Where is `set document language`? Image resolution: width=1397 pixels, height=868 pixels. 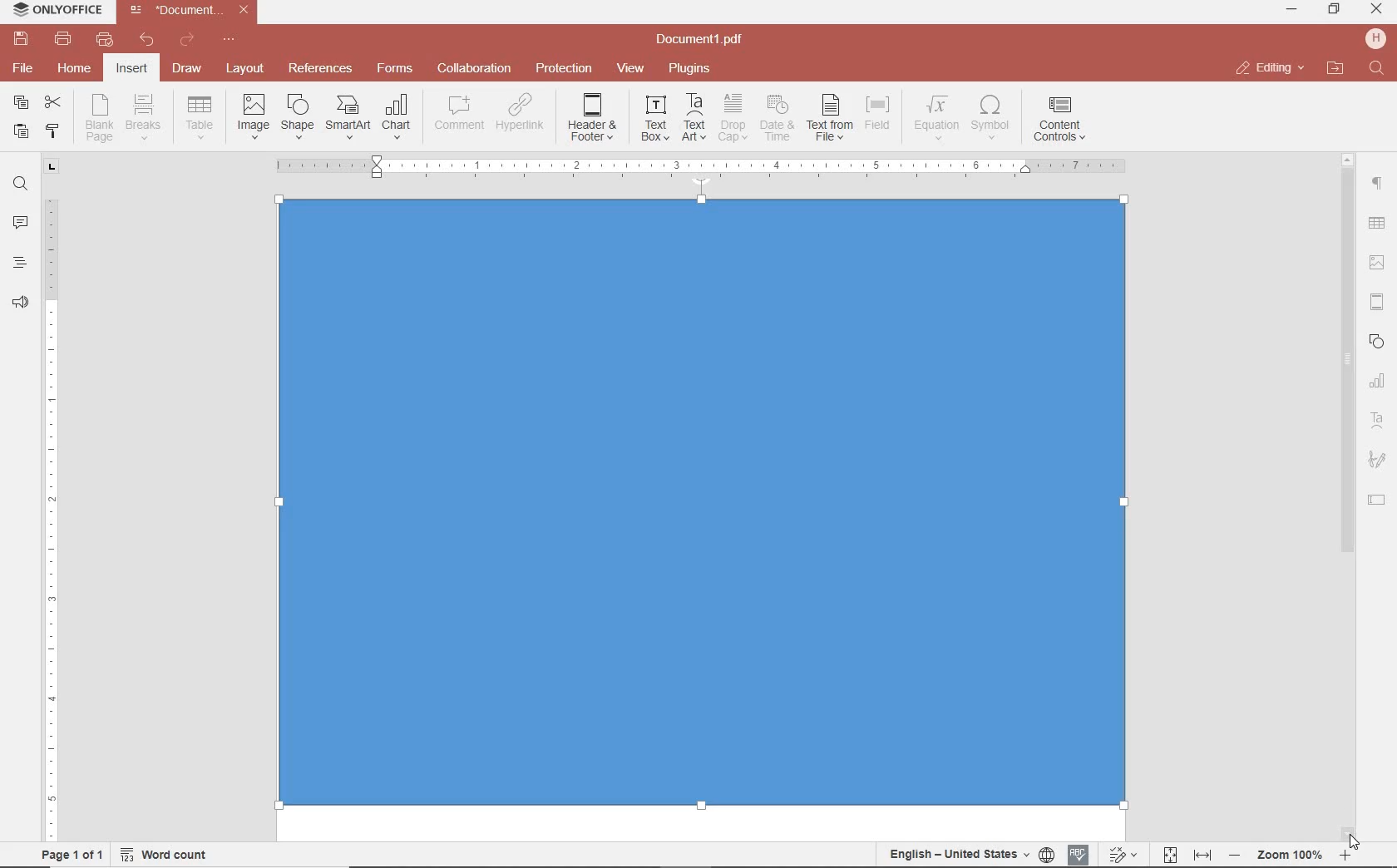
set document language is located at coordinates (970, 854).